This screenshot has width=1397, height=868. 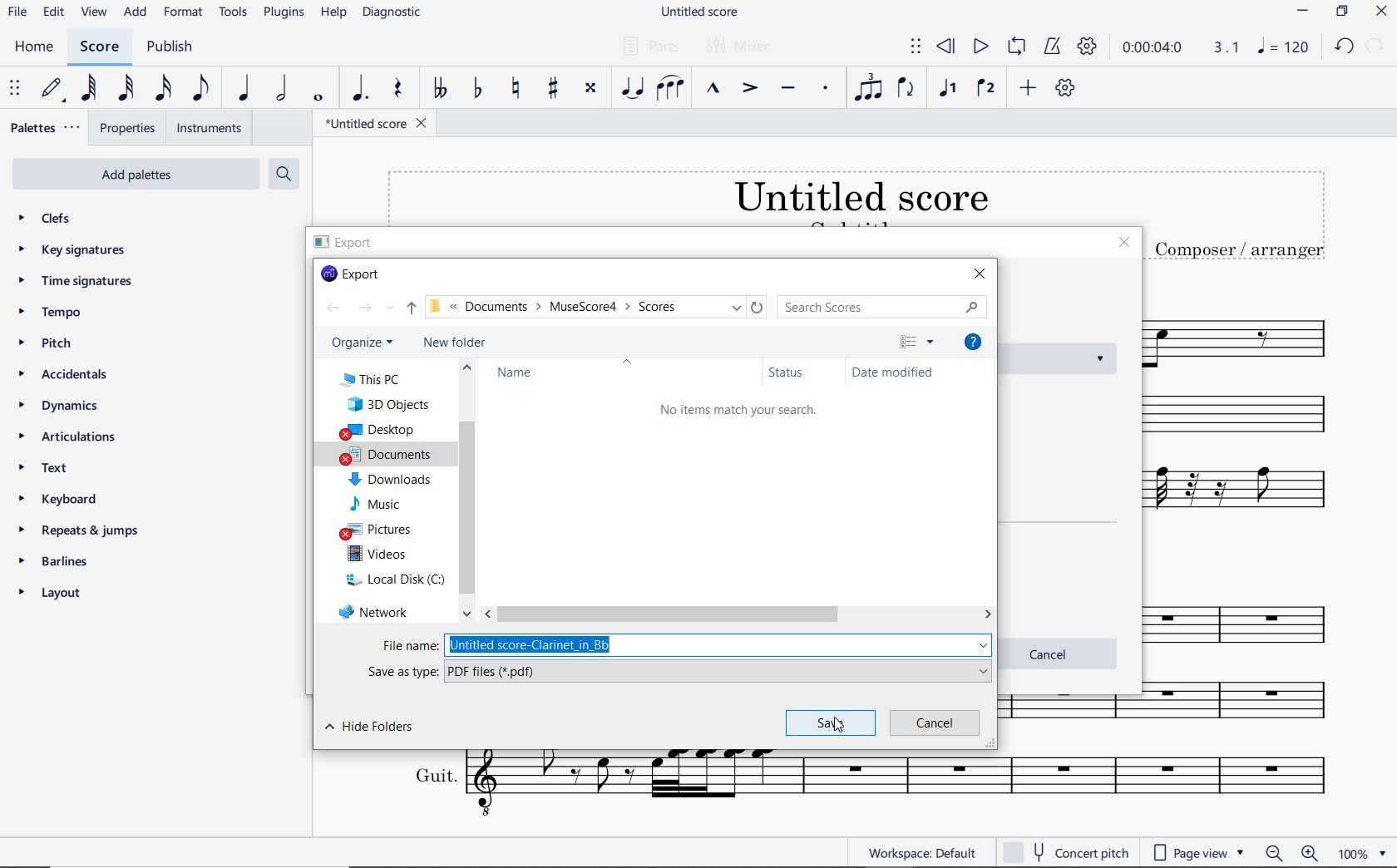 I want to click on FORMAT, so click(x=184, y=12).